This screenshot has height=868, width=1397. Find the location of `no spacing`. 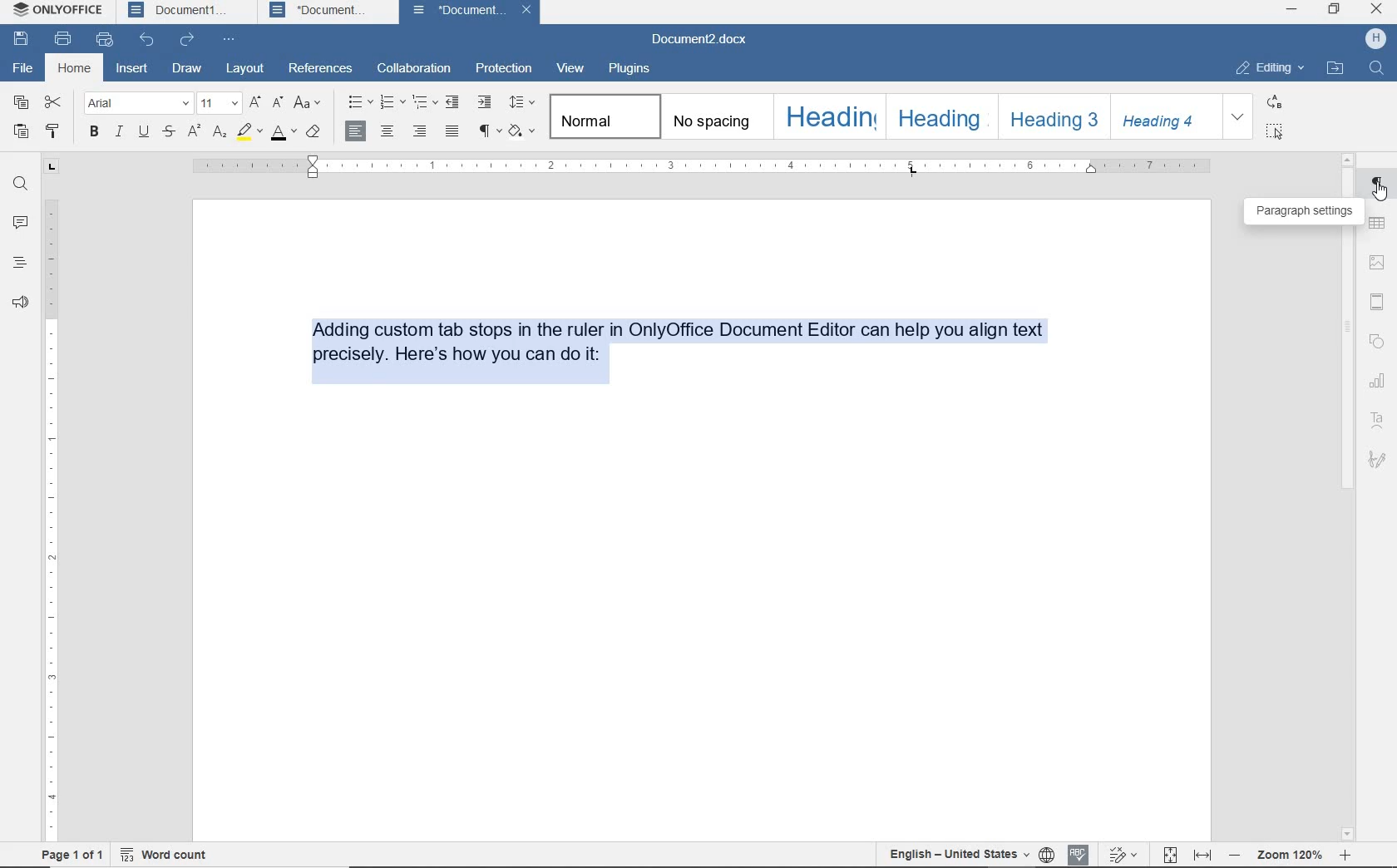

no spacing is located at coordinates (713, 116).